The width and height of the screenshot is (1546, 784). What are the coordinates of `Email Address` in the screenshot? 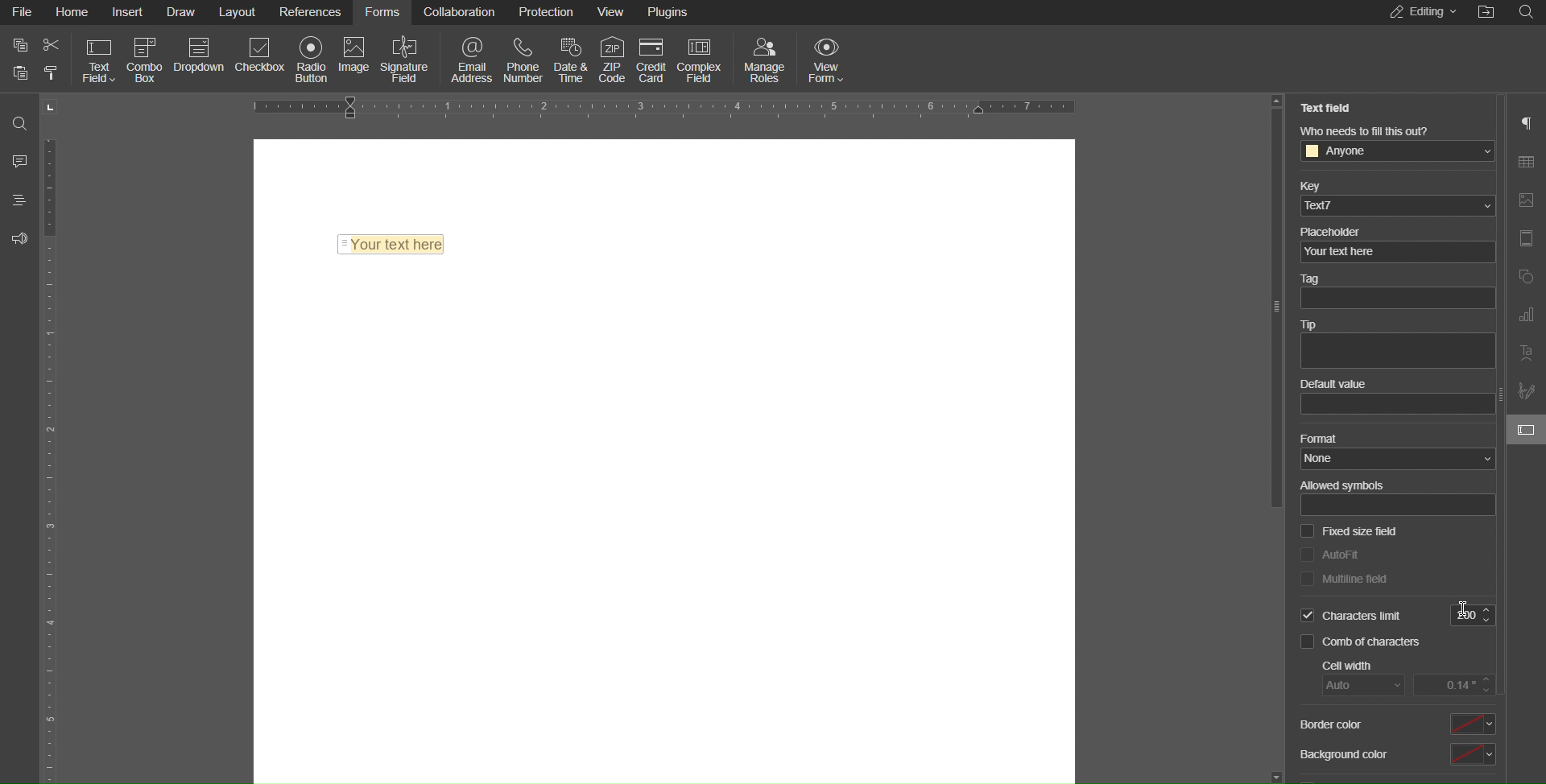 It's located at (472, 57).